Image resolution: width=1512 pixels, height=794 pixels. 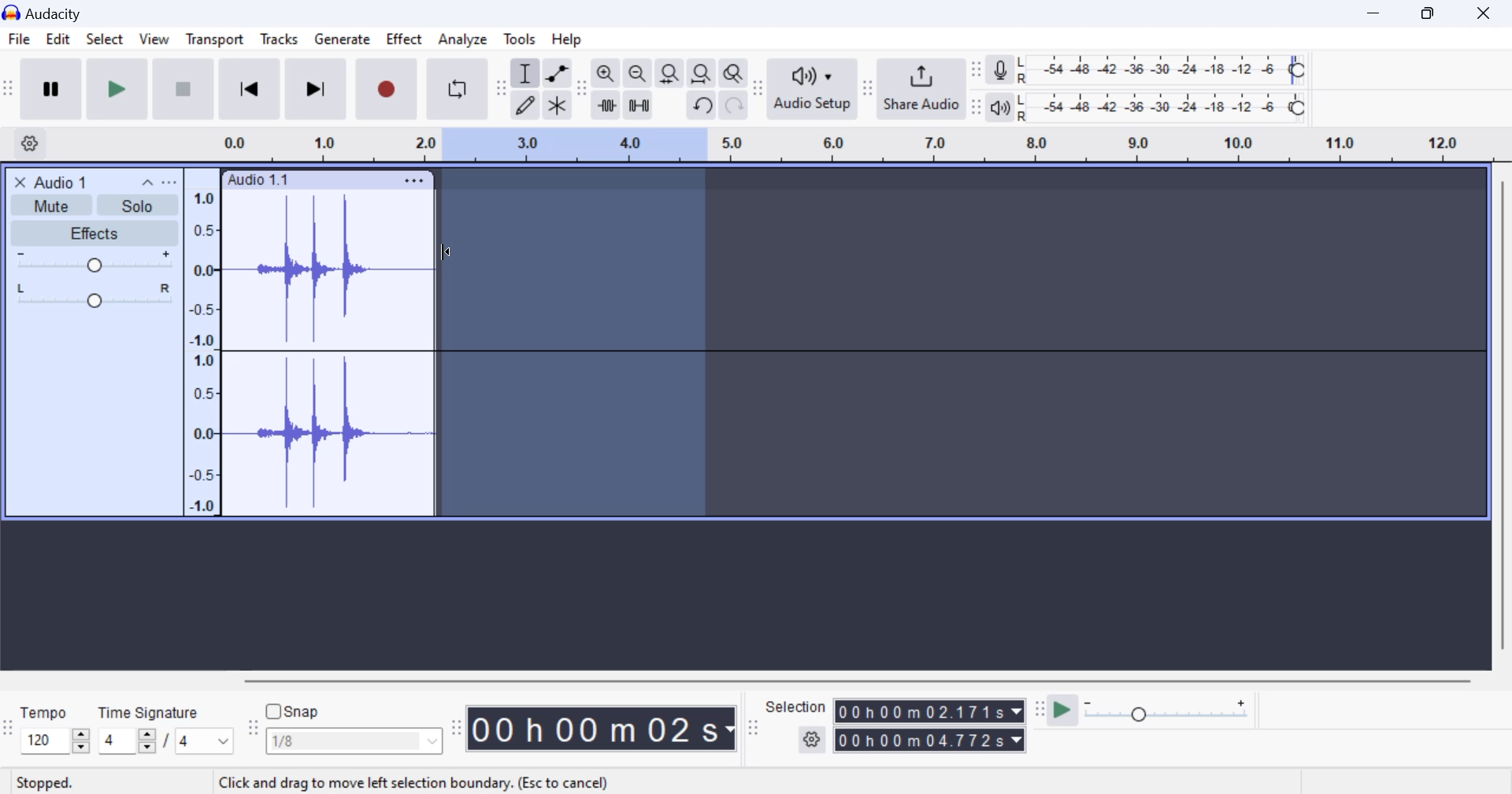 I want to click on fit project to width, so click(x=702, y=74).